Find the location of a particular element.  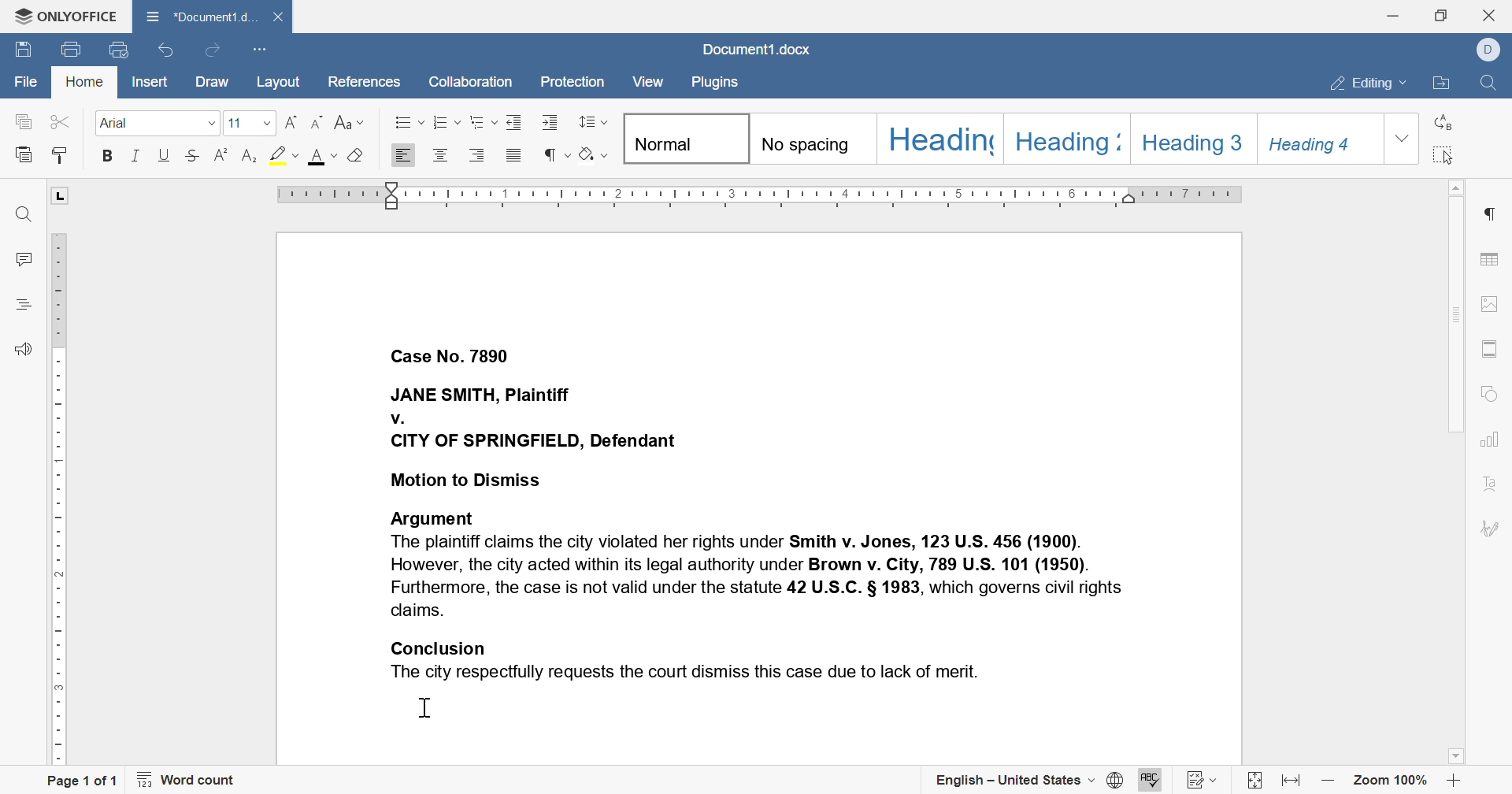

ruler is located at coordinates (60, 500).